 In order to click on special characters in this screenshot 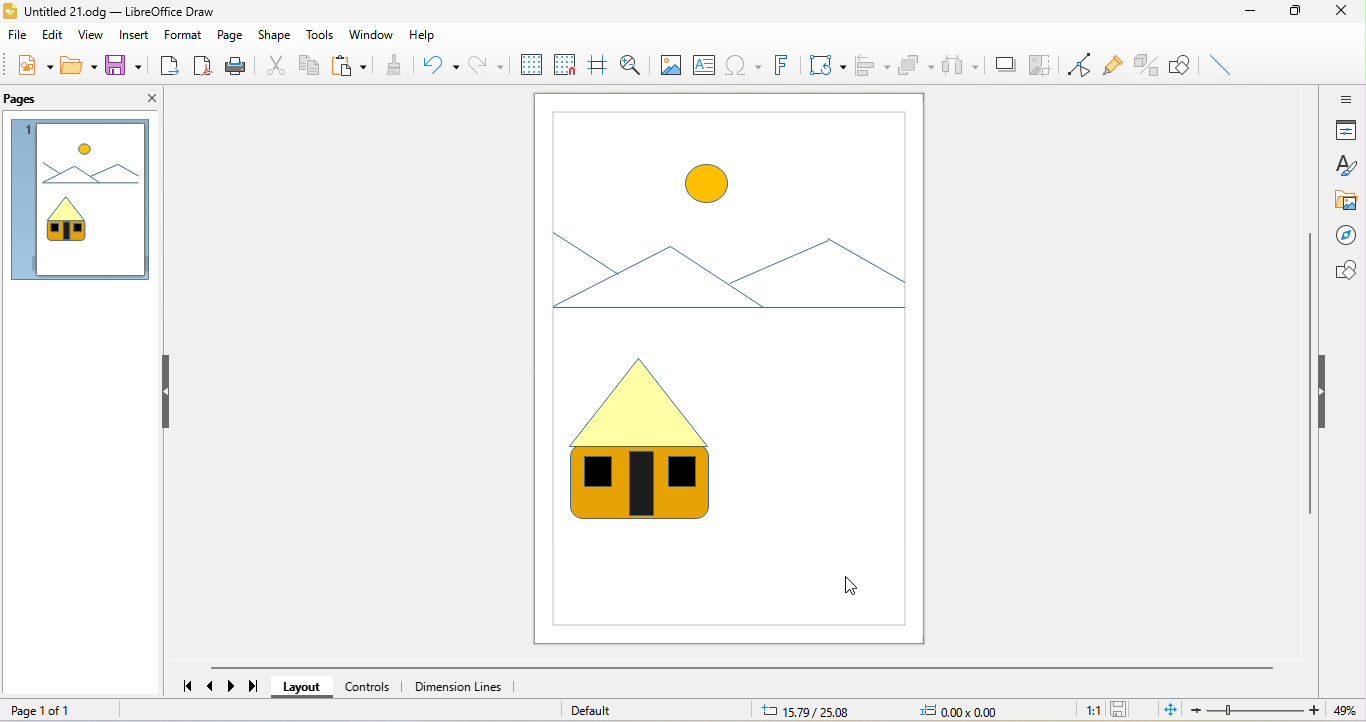, I will do `click(743, 65)`.